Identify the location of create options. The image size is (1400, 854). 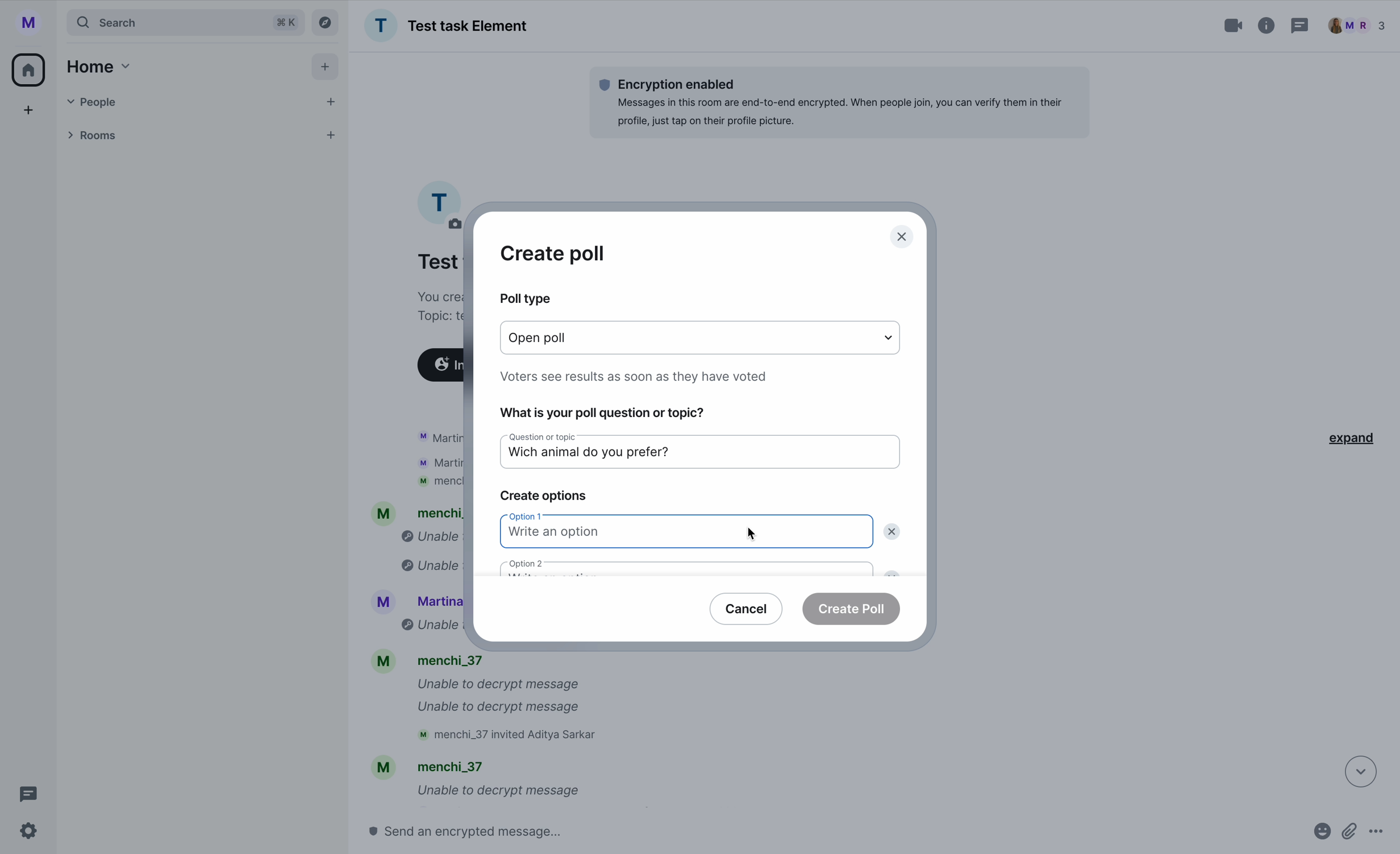
(543, 497).